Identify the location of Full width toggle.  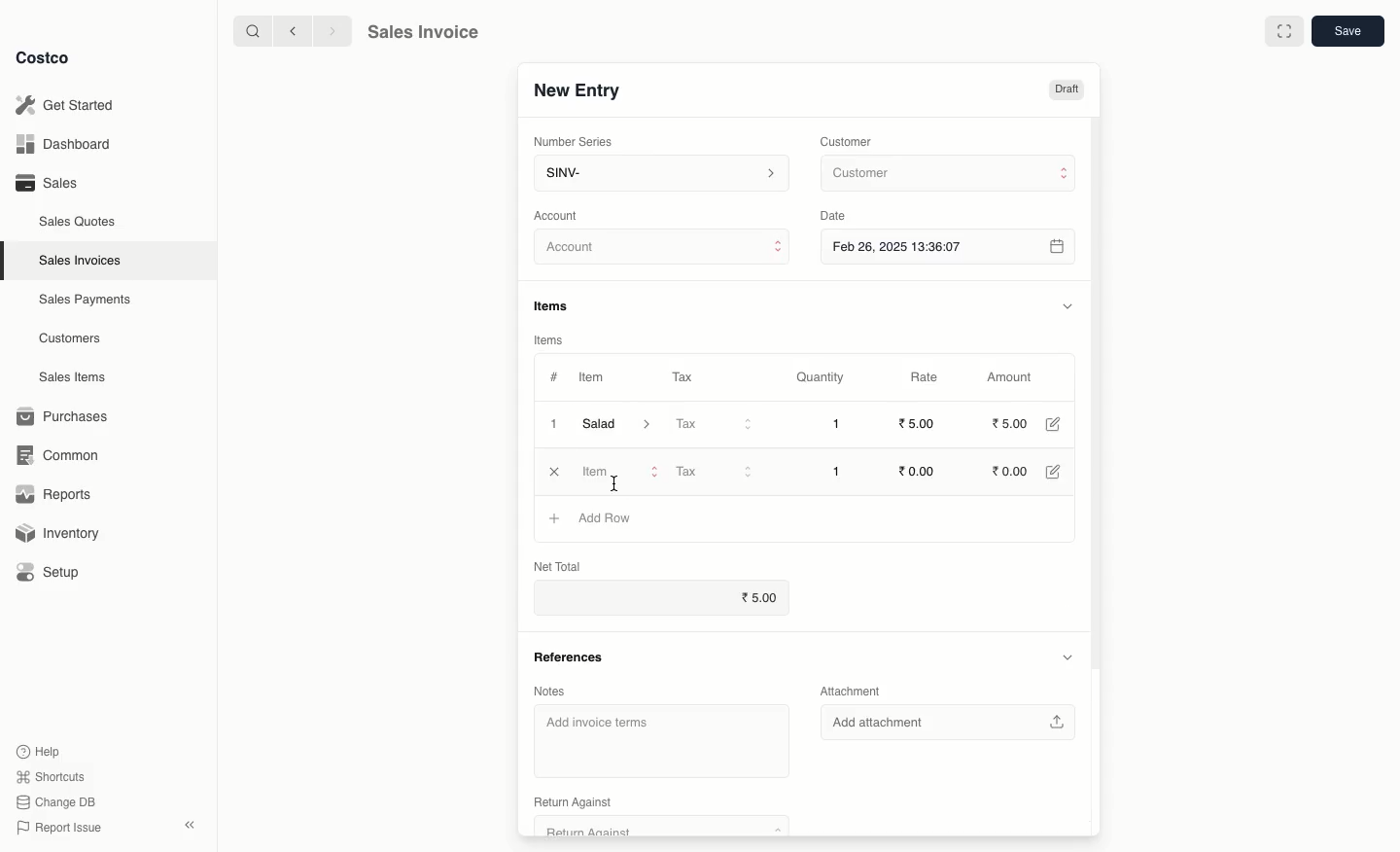
(1282, 32).